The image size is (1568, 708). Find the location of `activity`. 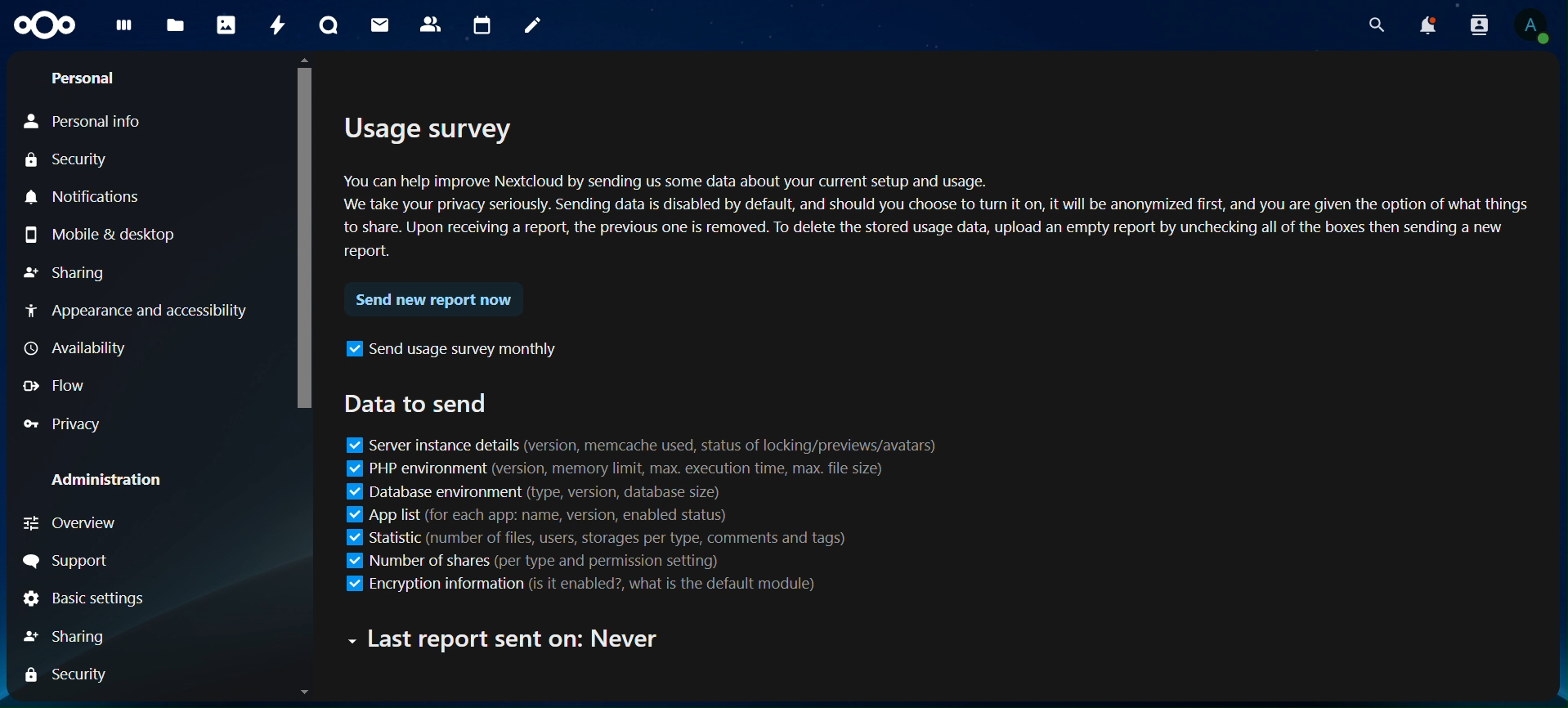

activity is located at coordinates (277, 25).